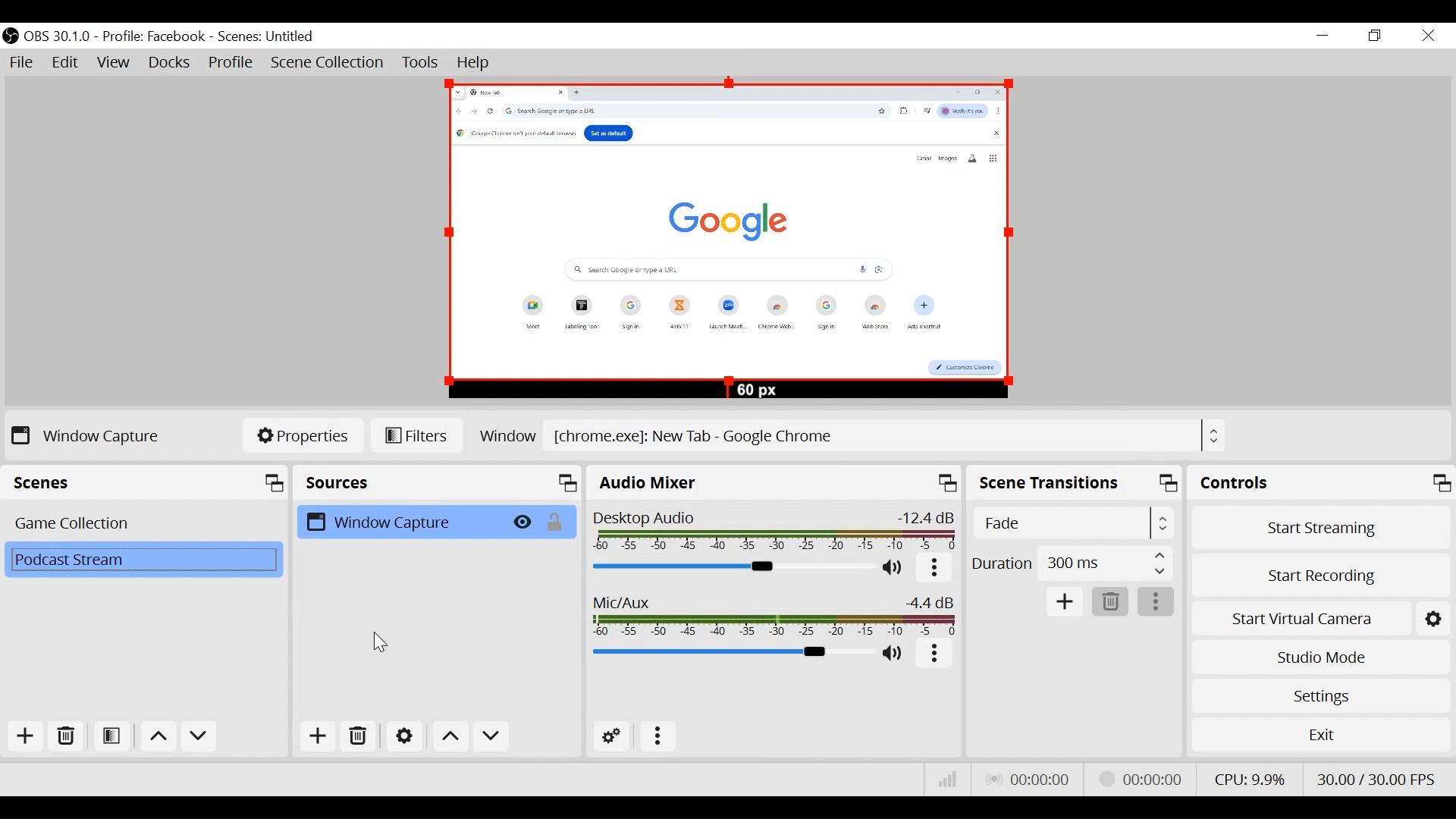 The width and height of the screenshot is (1456, 819). Describe the element at coordinates (157, 737) in the screenshot. I see `Move up` at that location.